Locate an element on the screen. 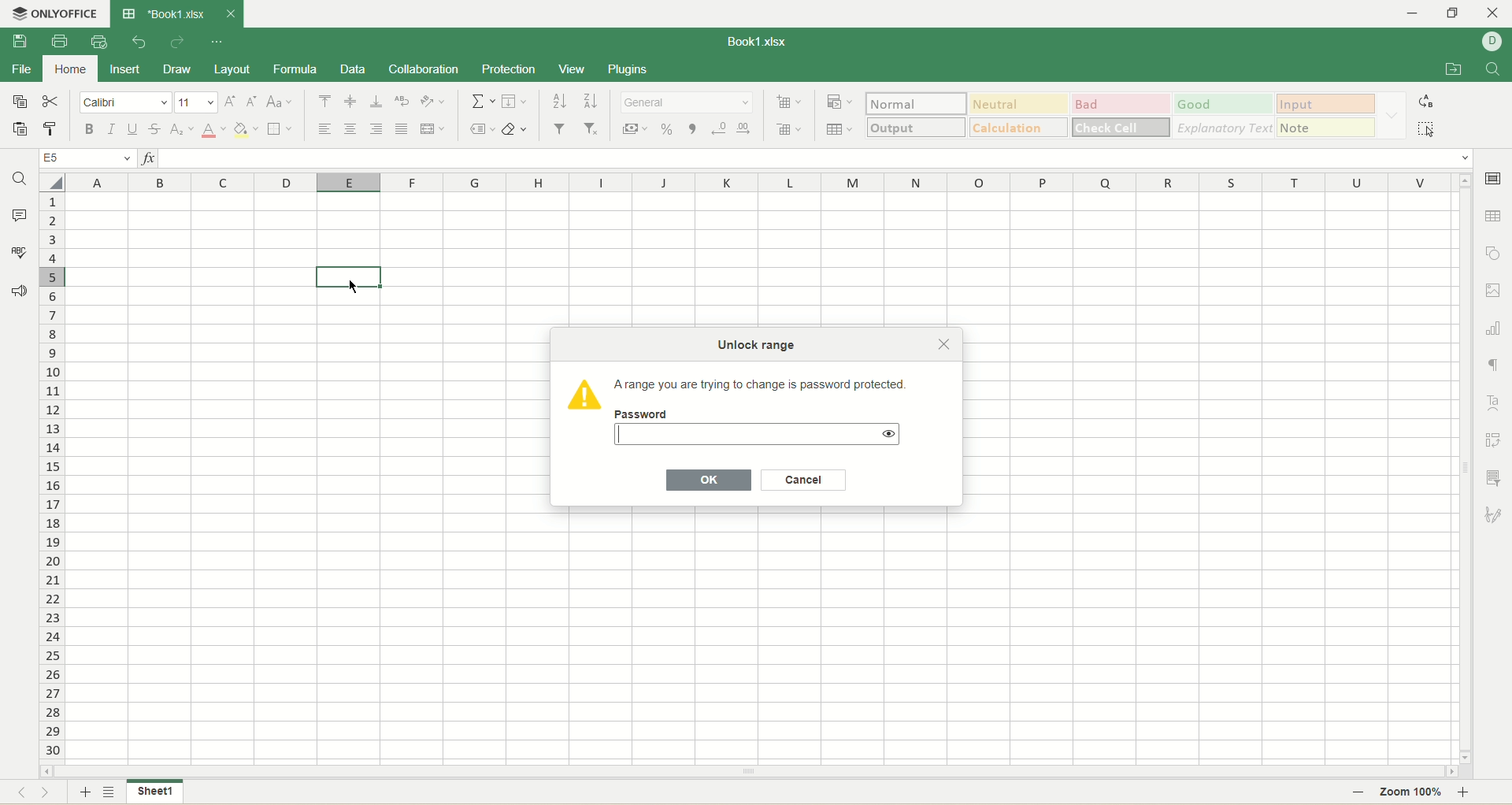 This screenshot has height=805, width=1512. clear is located at coordinates (516, 129).